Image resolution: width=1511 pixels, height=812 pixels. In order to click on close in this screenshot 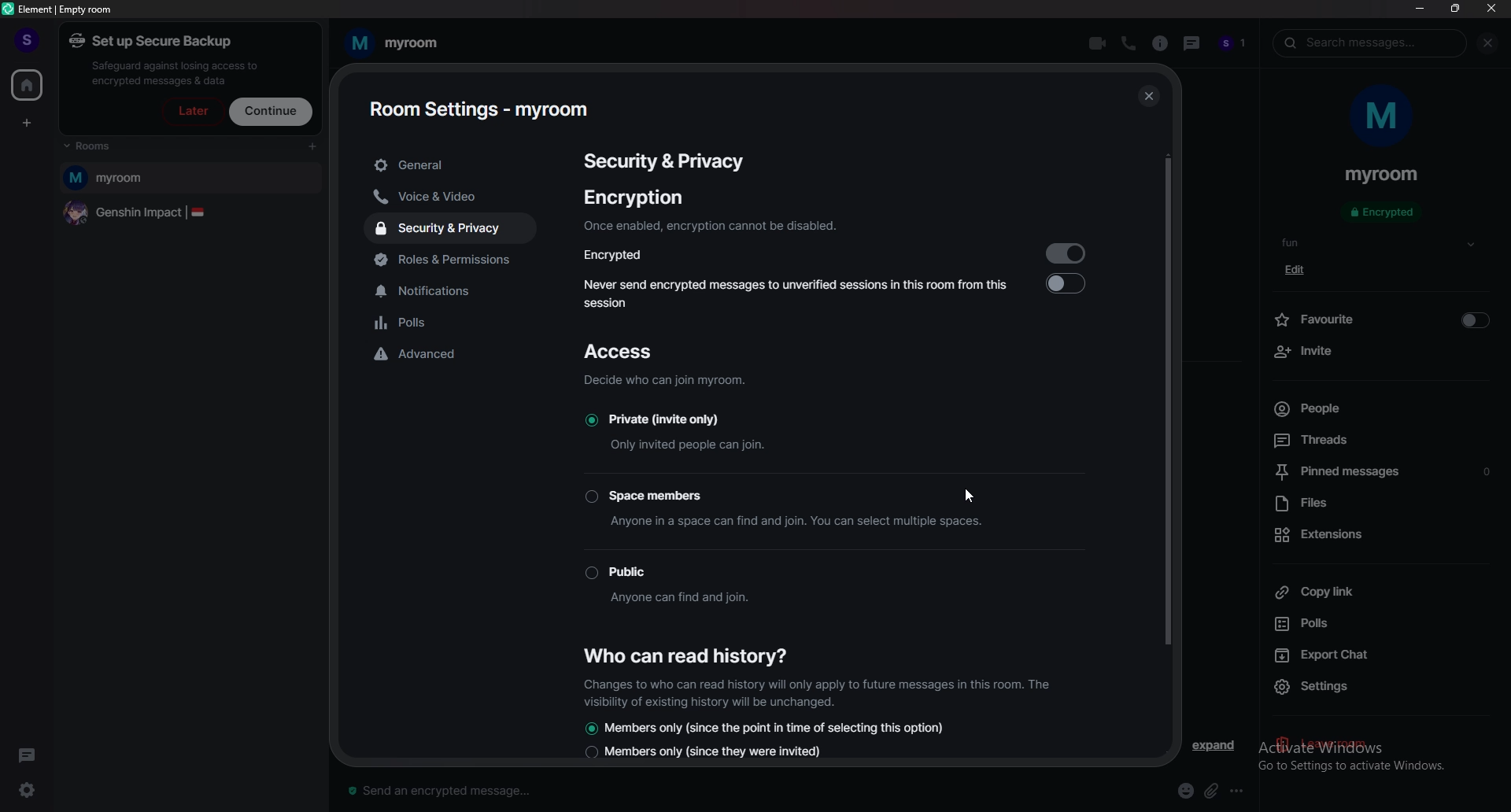, I will do `click(1147, 97)`.